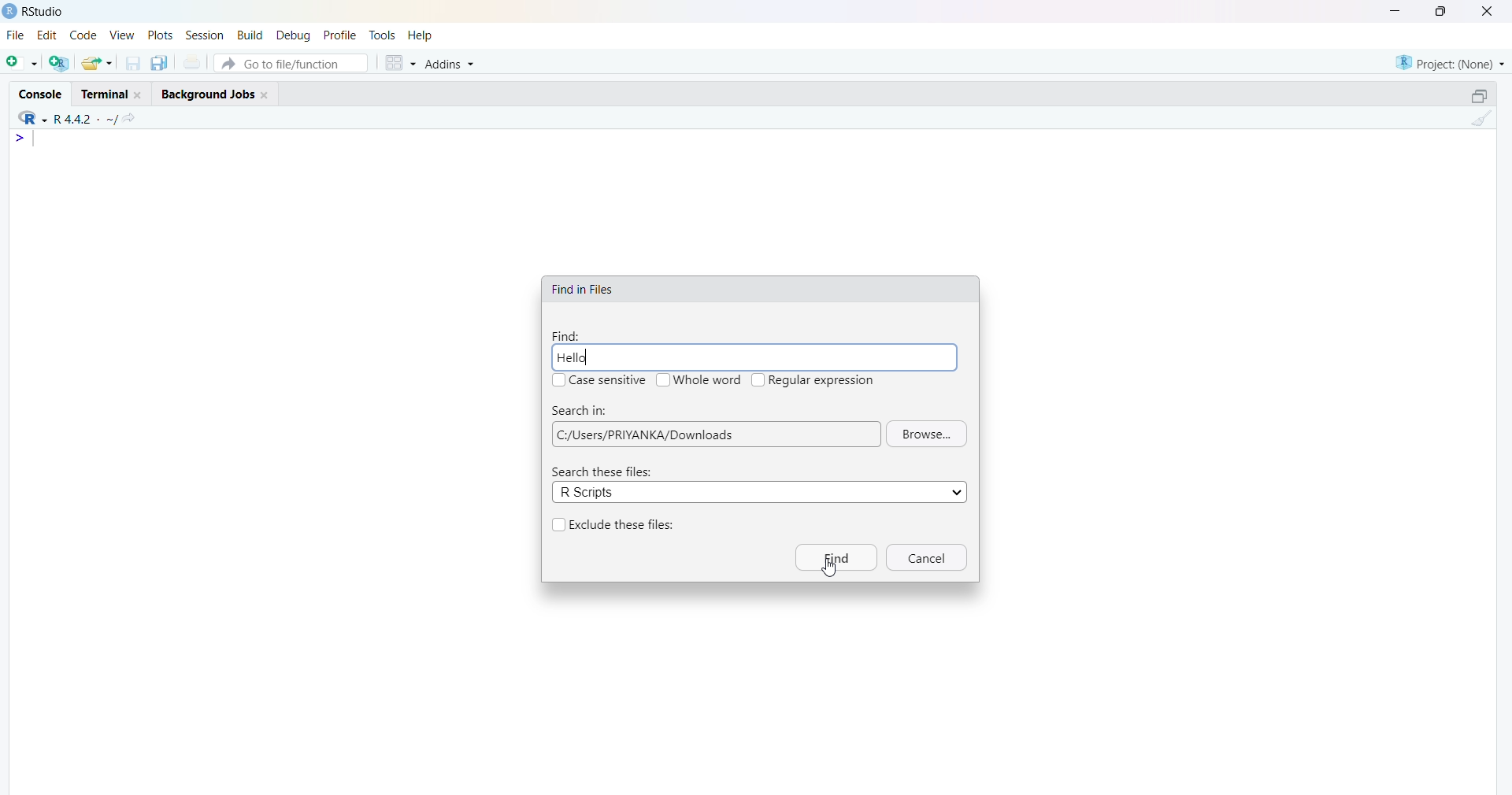 The width and height of the screenshot is (1512, 795). What do you see at coordinates (83, 35) in the screenshot?
I see `code` at bounding box center [83, 35].